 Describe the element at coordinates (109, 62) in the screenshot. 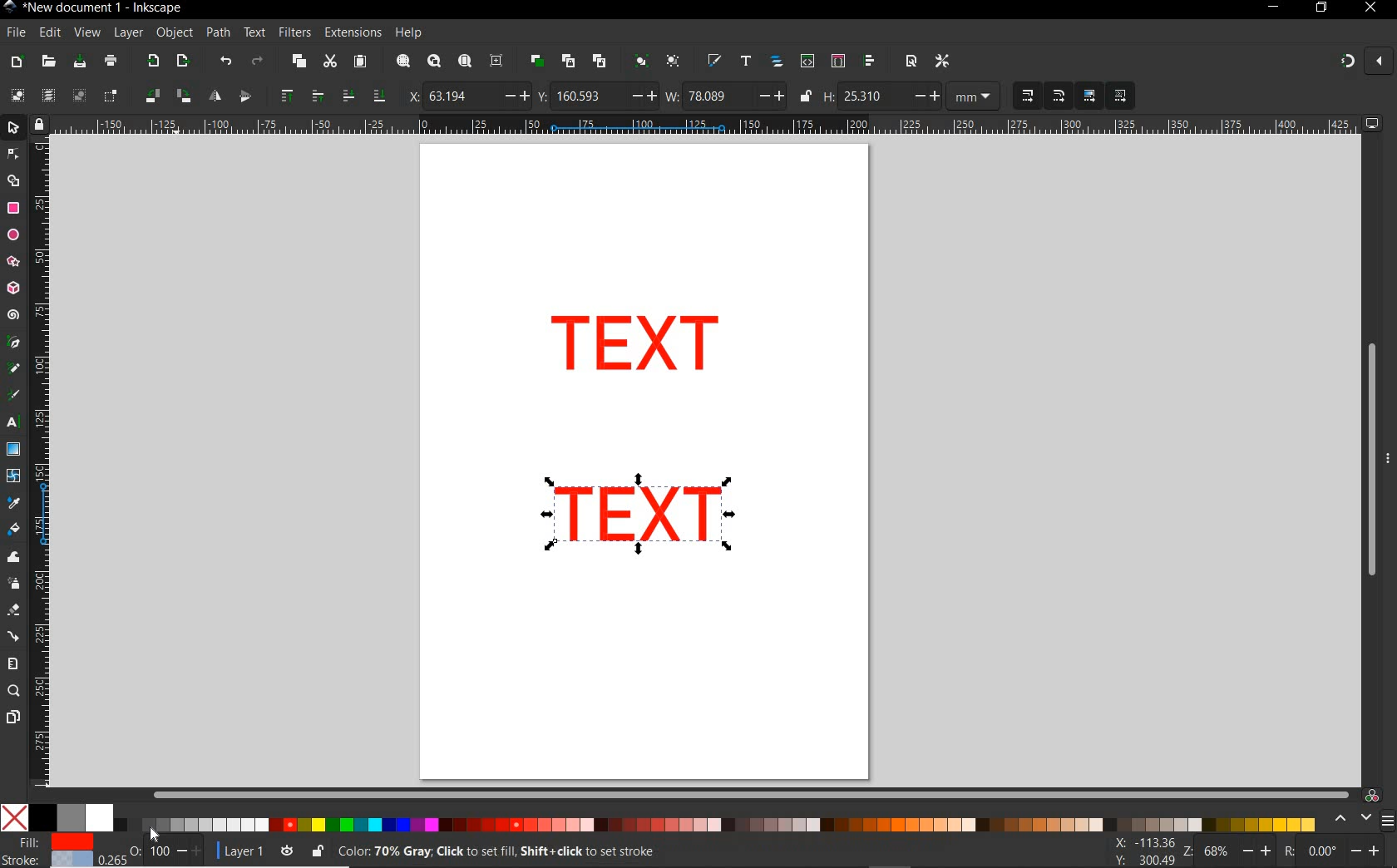

I see `print` at that location.